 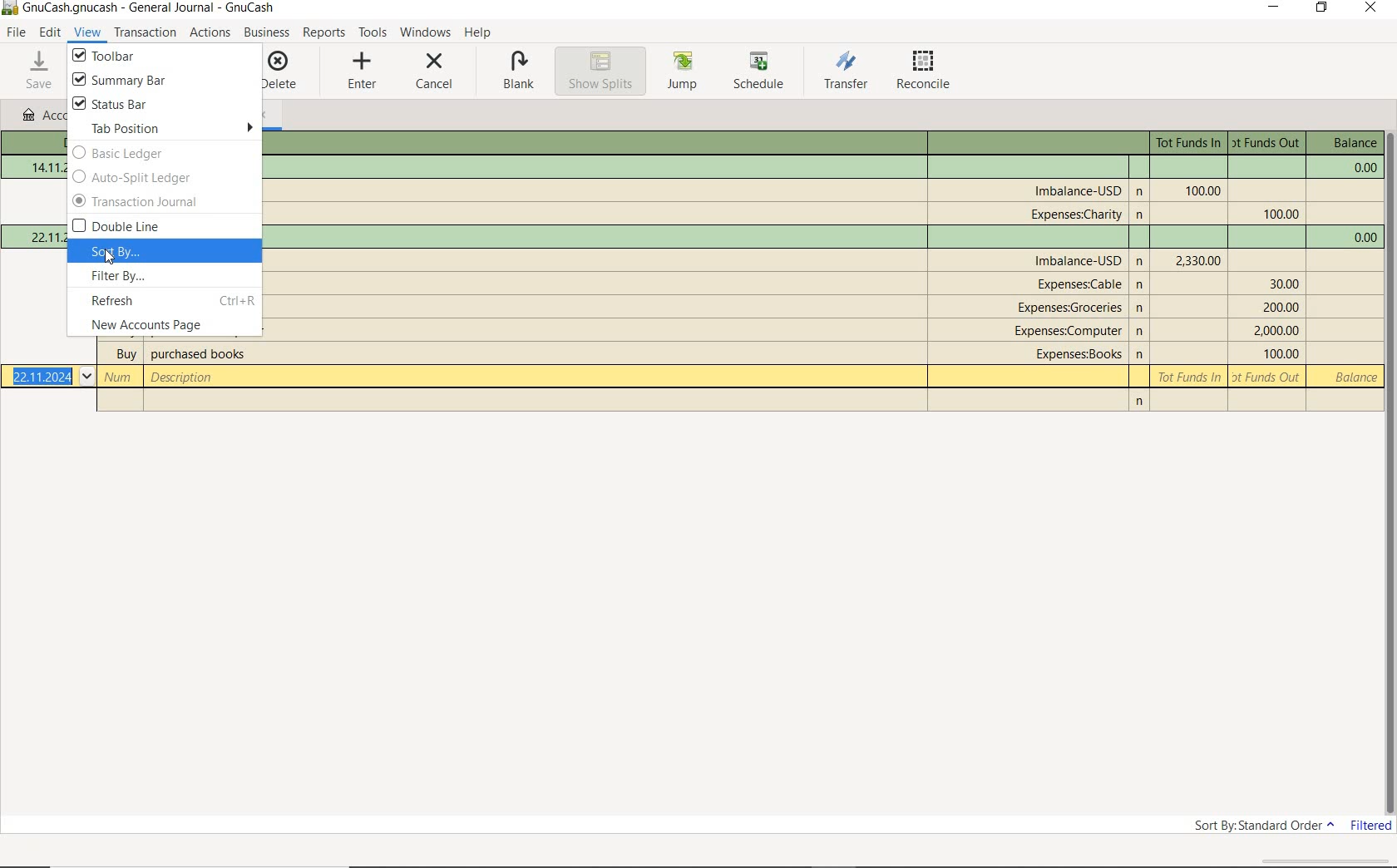 I want to click on tab position, so click(x=167, y=128).